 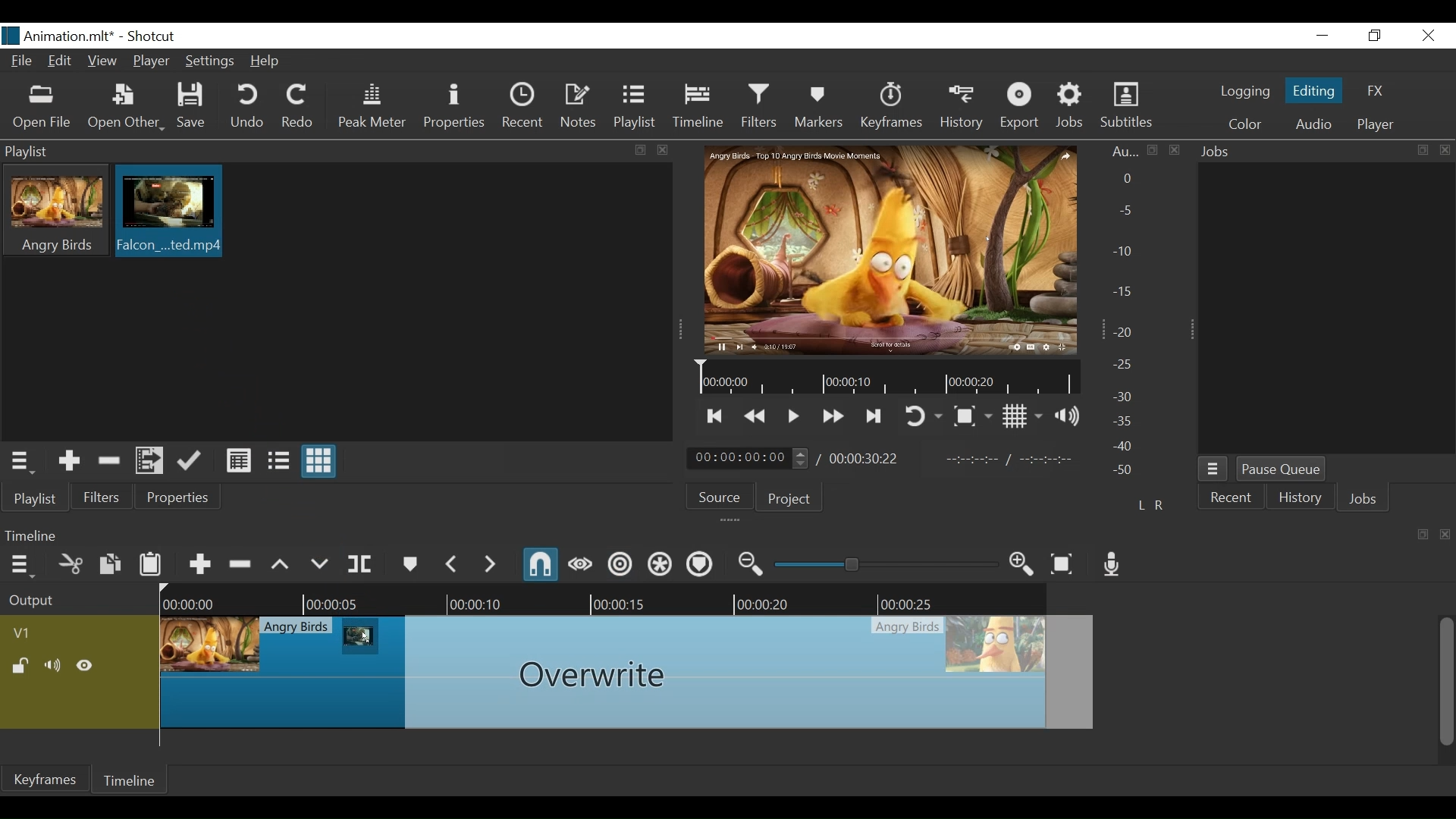 I want to click on Editing, so click(x=1313, y=91).